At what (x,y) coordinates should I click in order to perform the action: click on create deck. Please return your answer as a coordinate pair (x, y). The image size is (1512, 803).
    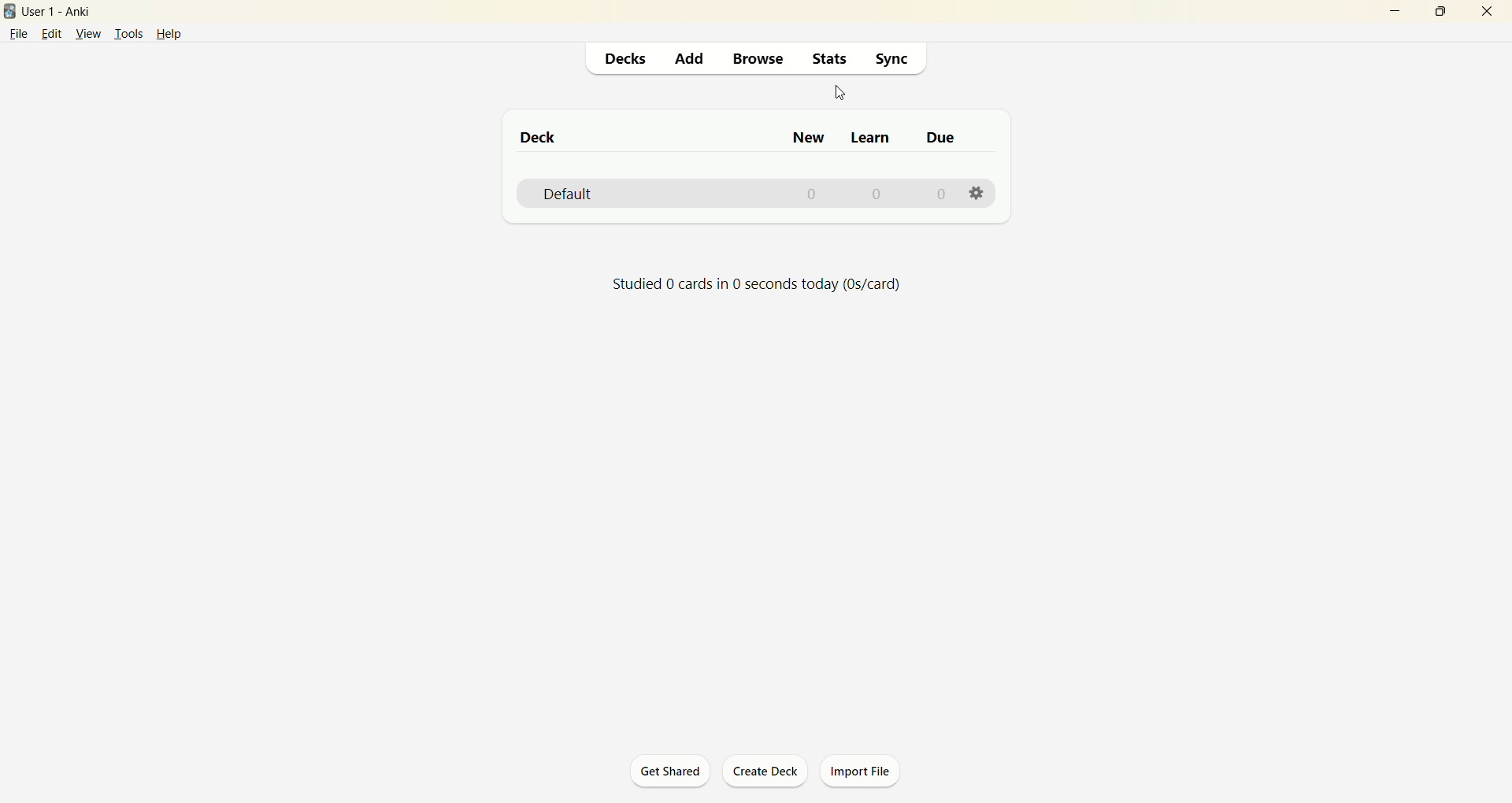
    Looking at the image, I should click on (769, 772).